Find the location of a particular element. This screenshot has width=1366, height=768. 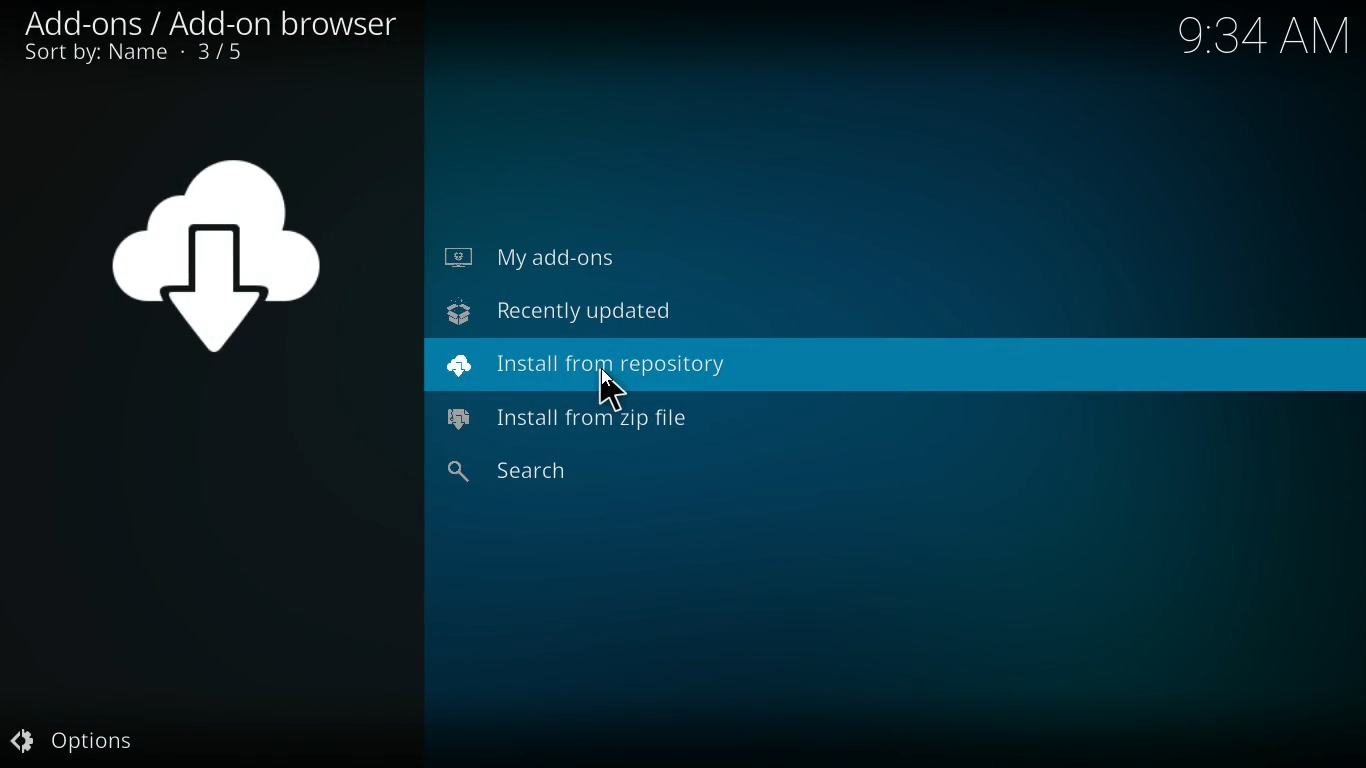

sort by name is located at coordinates (139, 50).